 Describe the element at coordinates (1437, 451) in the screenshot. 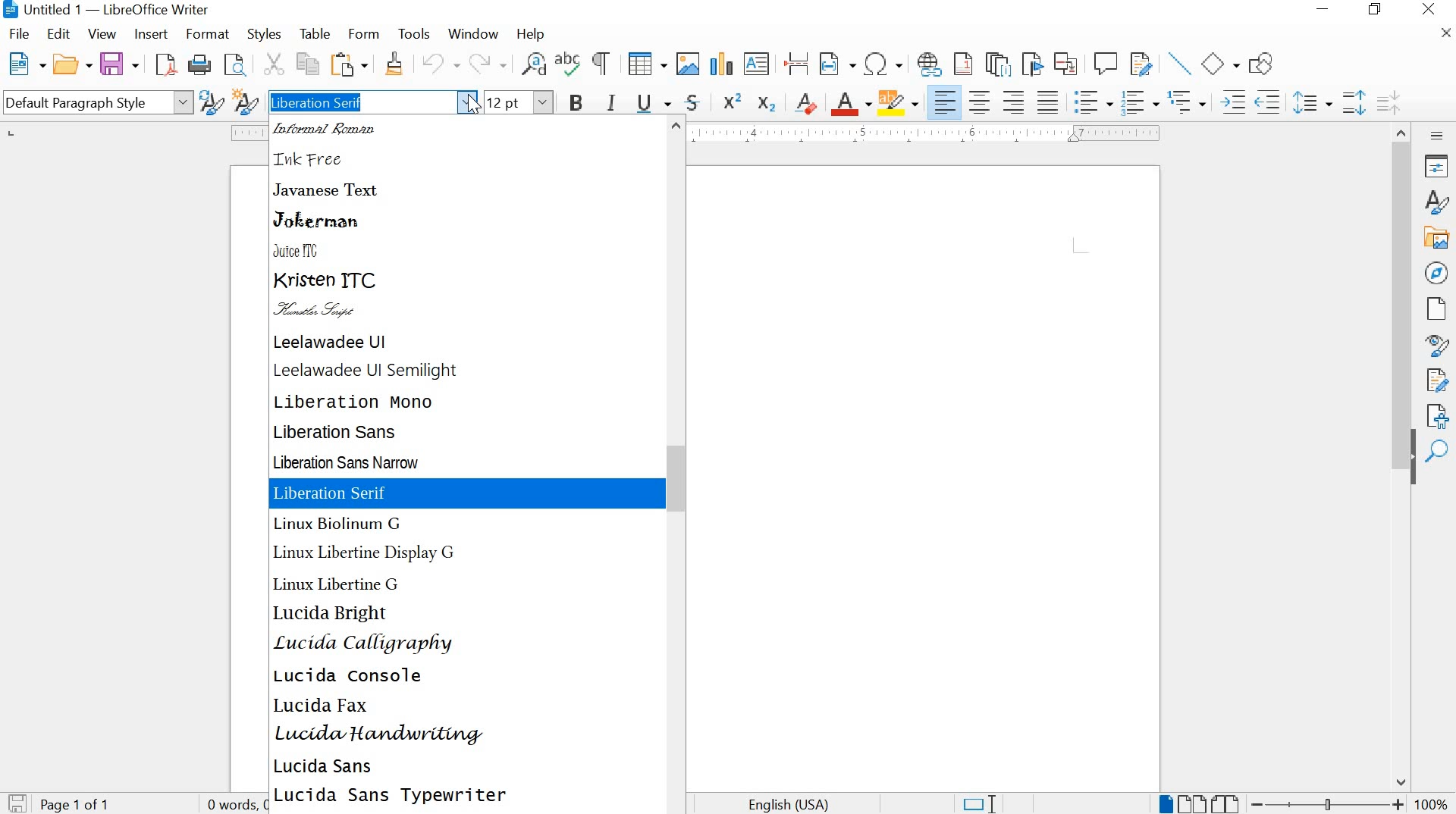

I see `FIND` at that location.